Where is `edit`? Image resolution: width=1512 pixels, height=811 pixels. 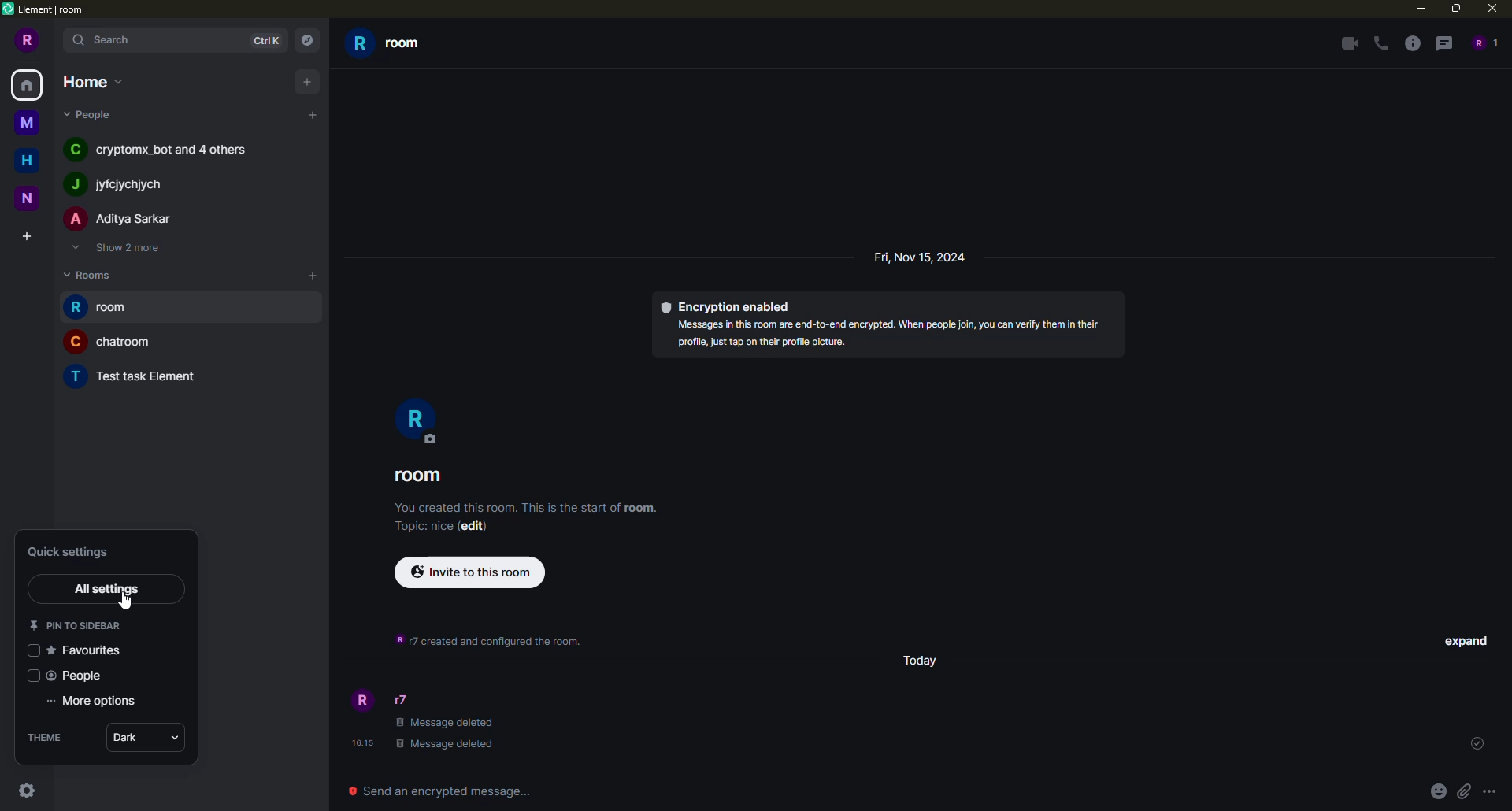
edit is located at coordinates (476, 528).